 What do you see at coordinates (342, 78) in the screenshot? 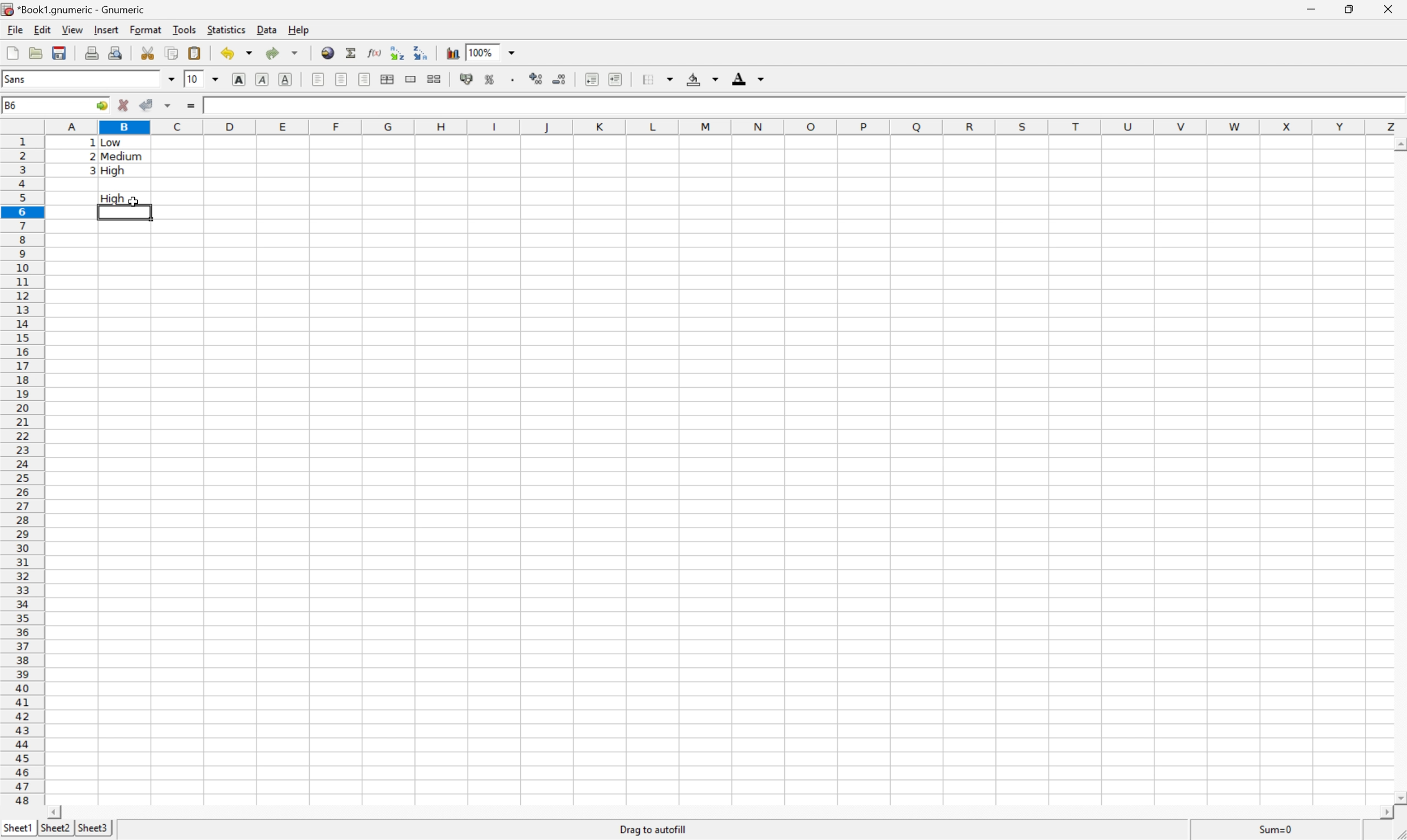
I see `Center horizontally` at bounding box center [342, 78].